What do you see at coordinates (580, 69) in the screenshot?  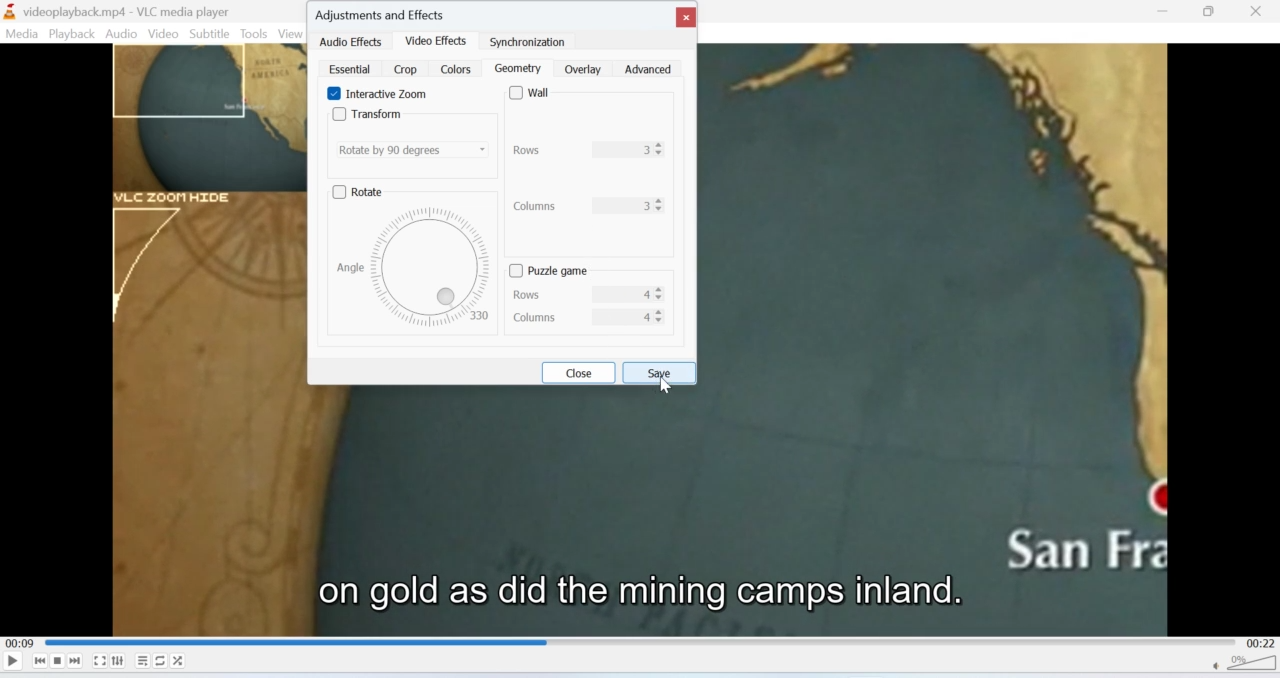 I see `overlay` at bounding box center [580, 69].